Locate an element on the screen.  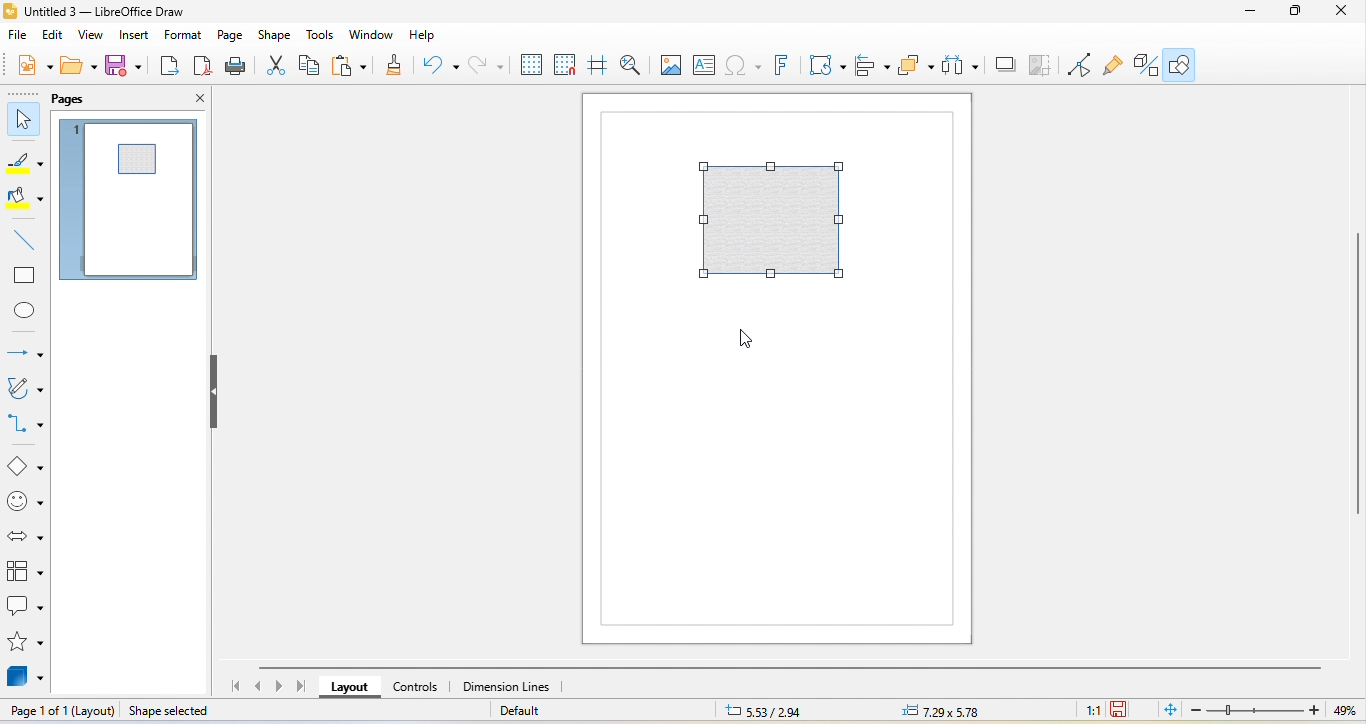
line color is located at coordinates (24, 164).